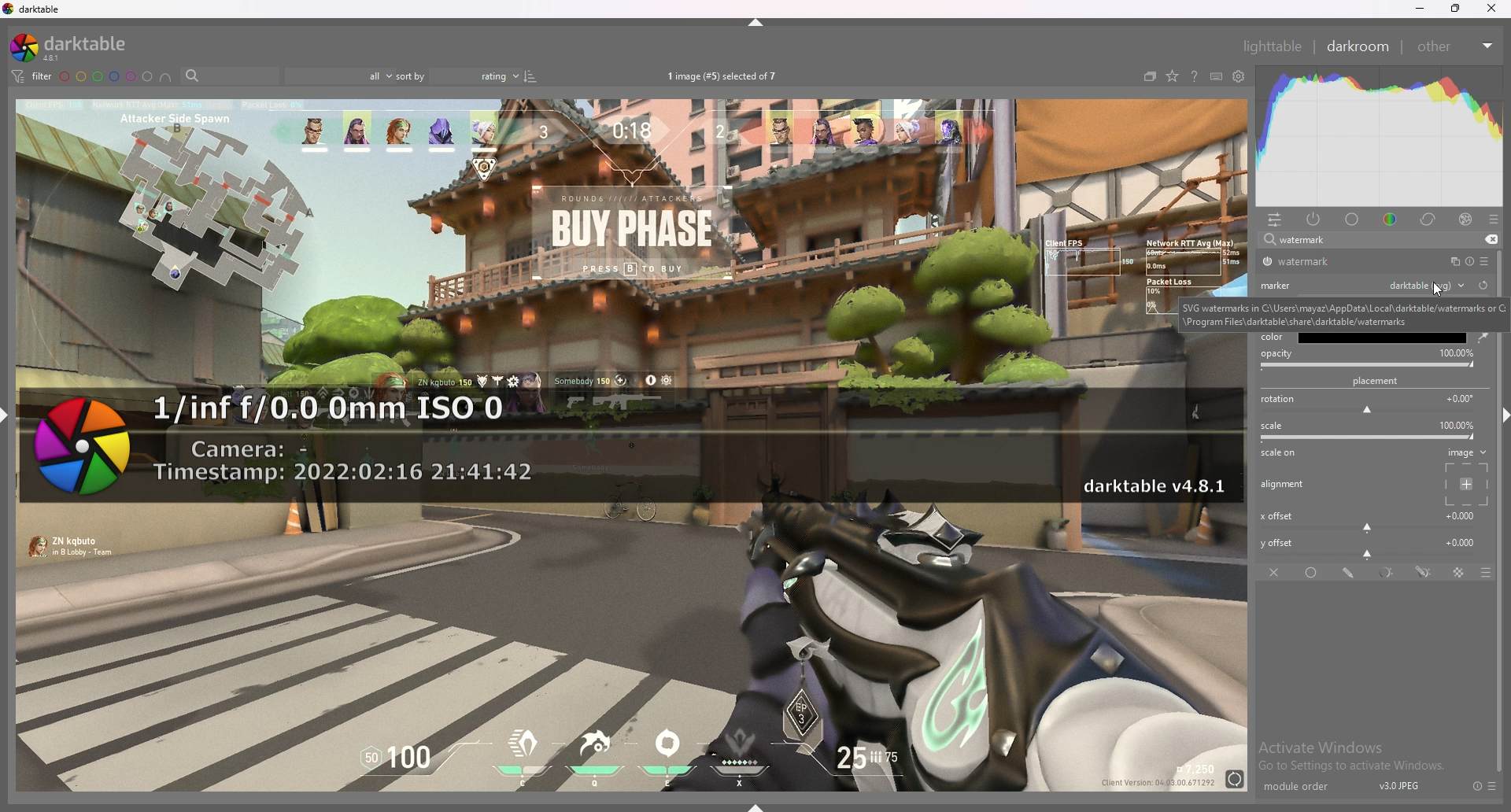 The image size is (1511, 812). I want to click on image, so click(1464, 476).